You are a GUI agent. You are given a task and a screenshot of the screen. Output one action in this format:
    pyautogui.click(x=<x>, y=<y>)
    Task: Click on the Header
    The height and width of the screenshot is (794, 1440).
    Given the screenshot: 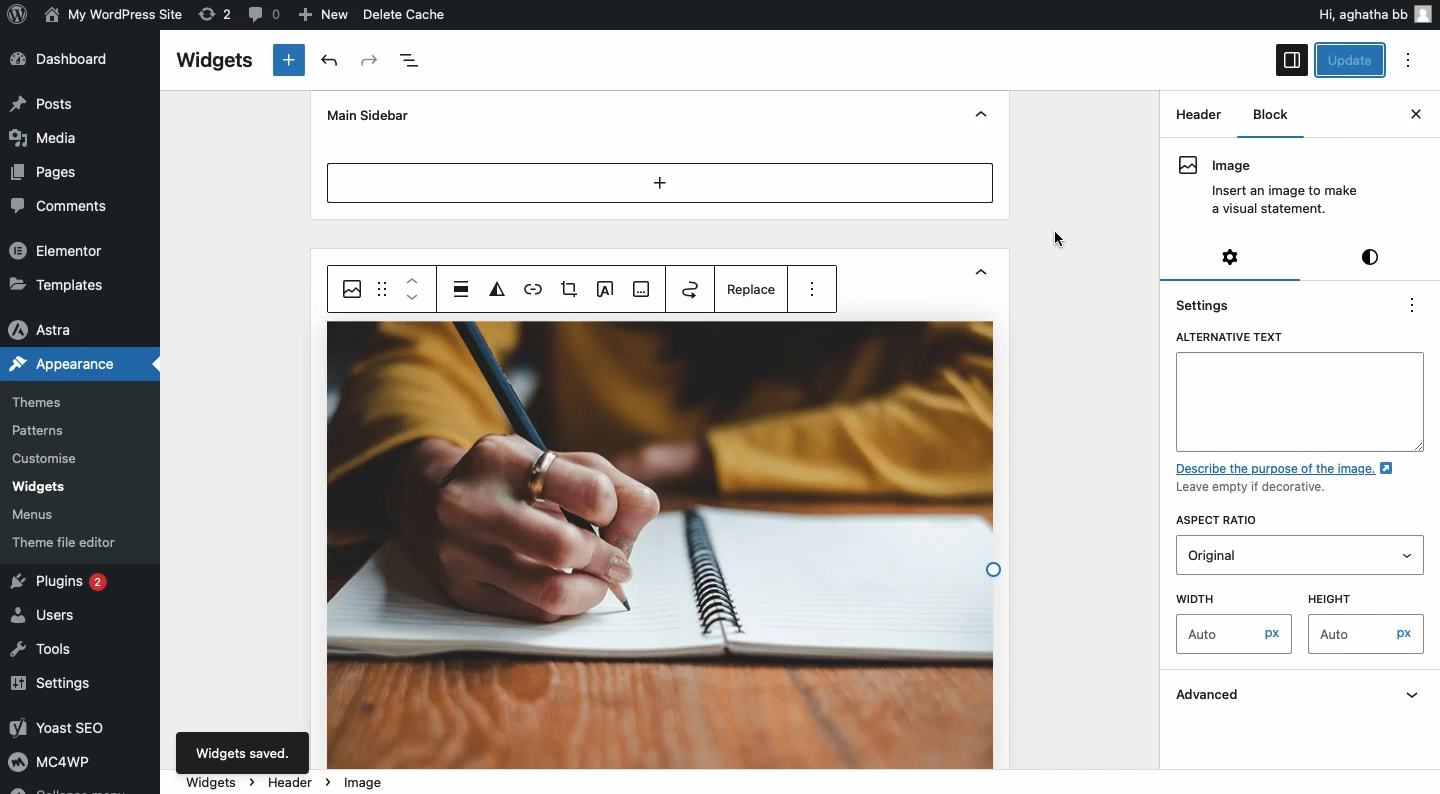 What is the action you would take?
    pyautogui.click(x=1198, y=113)
    